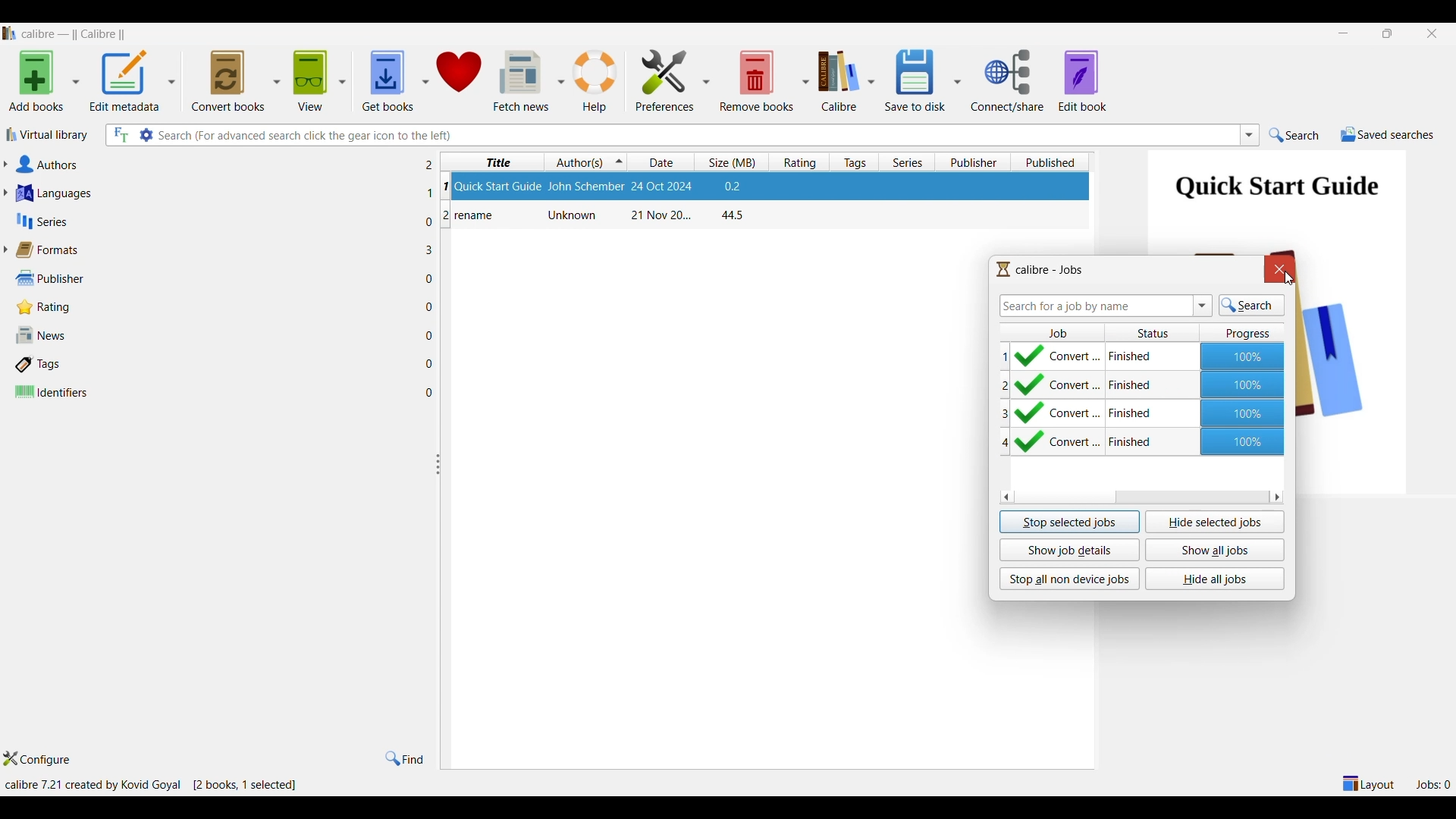  What do you see at coordinates (1009, 80) in the screenshot?
I see `Connect/Share` at bounding box center [1009, 80].